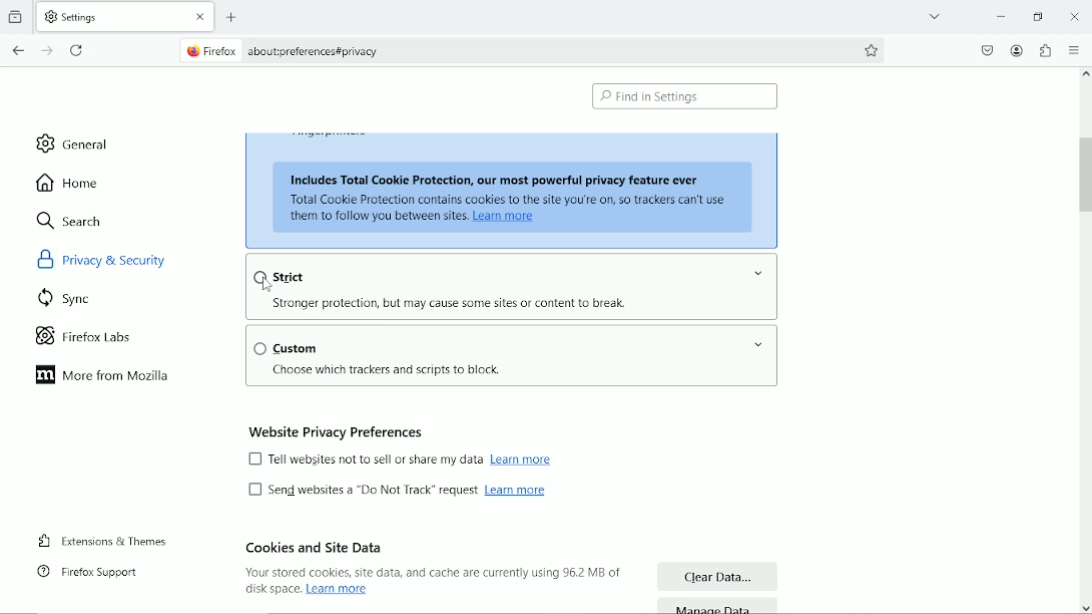 This screenshot has width=1092, height=614. What do you see at coordinates (19, 50) in the screenshot?
I see `go back` at bounding box center [19, 50].